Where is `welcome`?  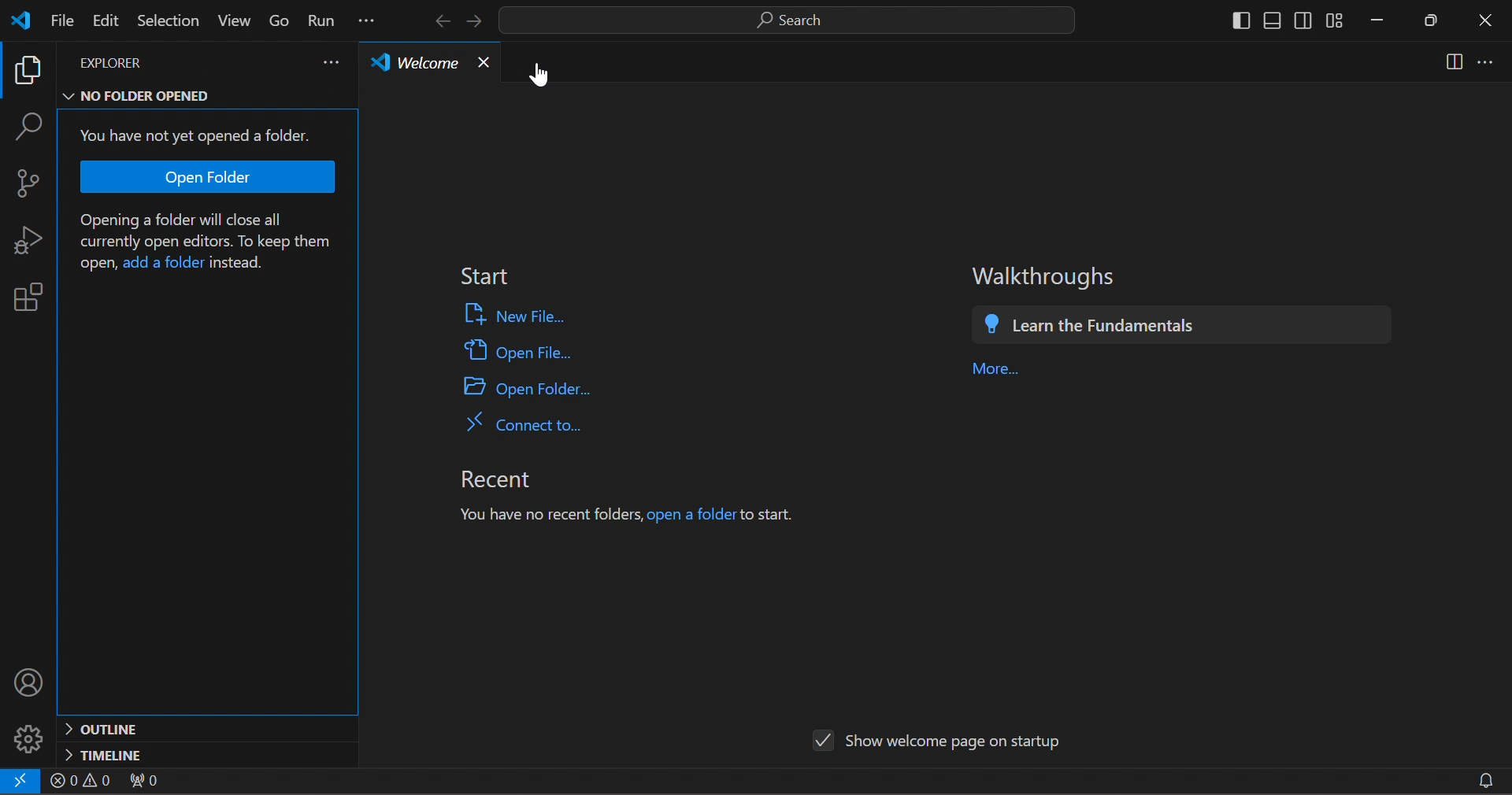 welcome is located at coordinates (411, 63).